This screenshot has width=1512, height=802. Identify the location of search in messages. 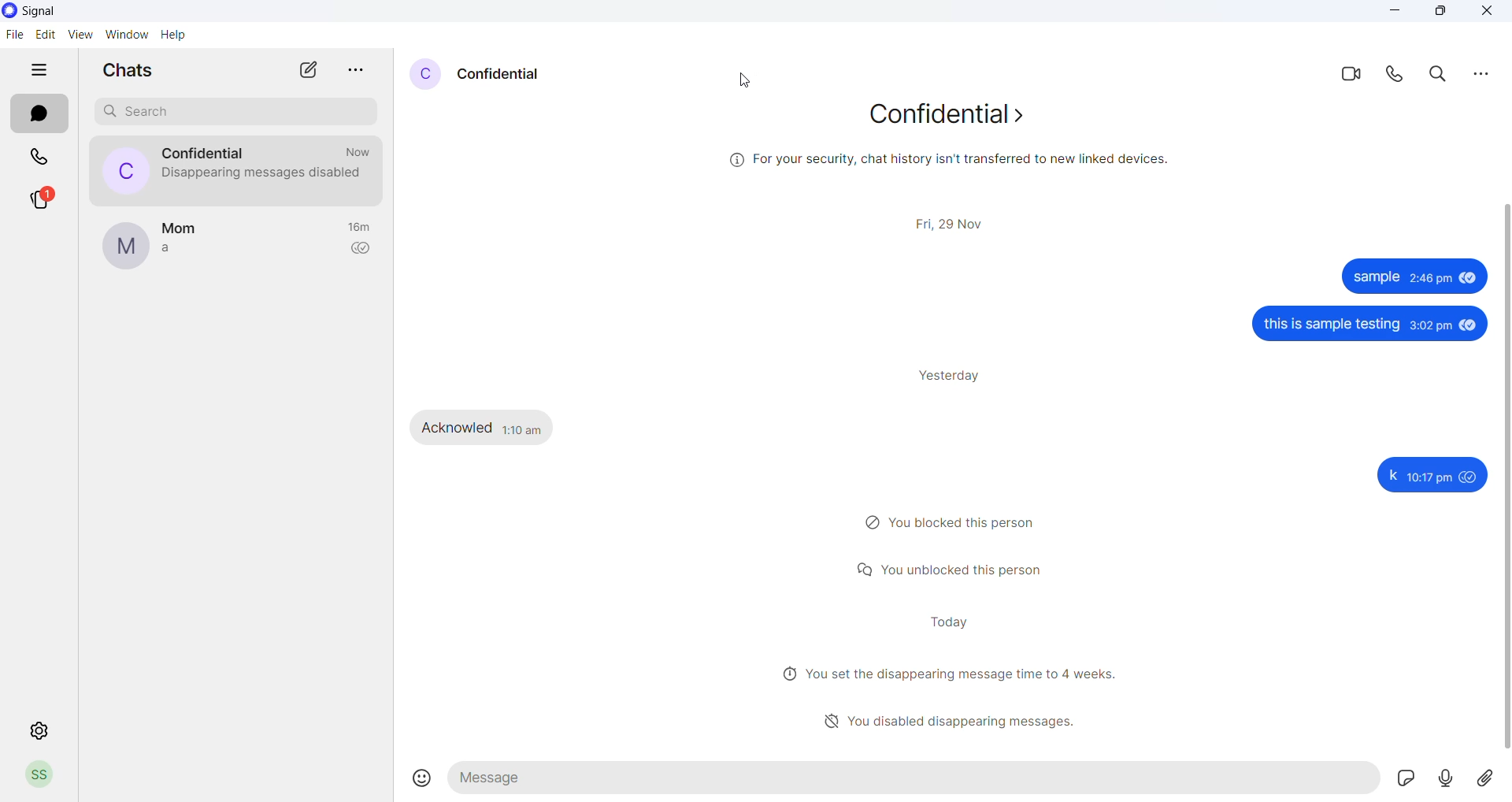
(1440, 72).